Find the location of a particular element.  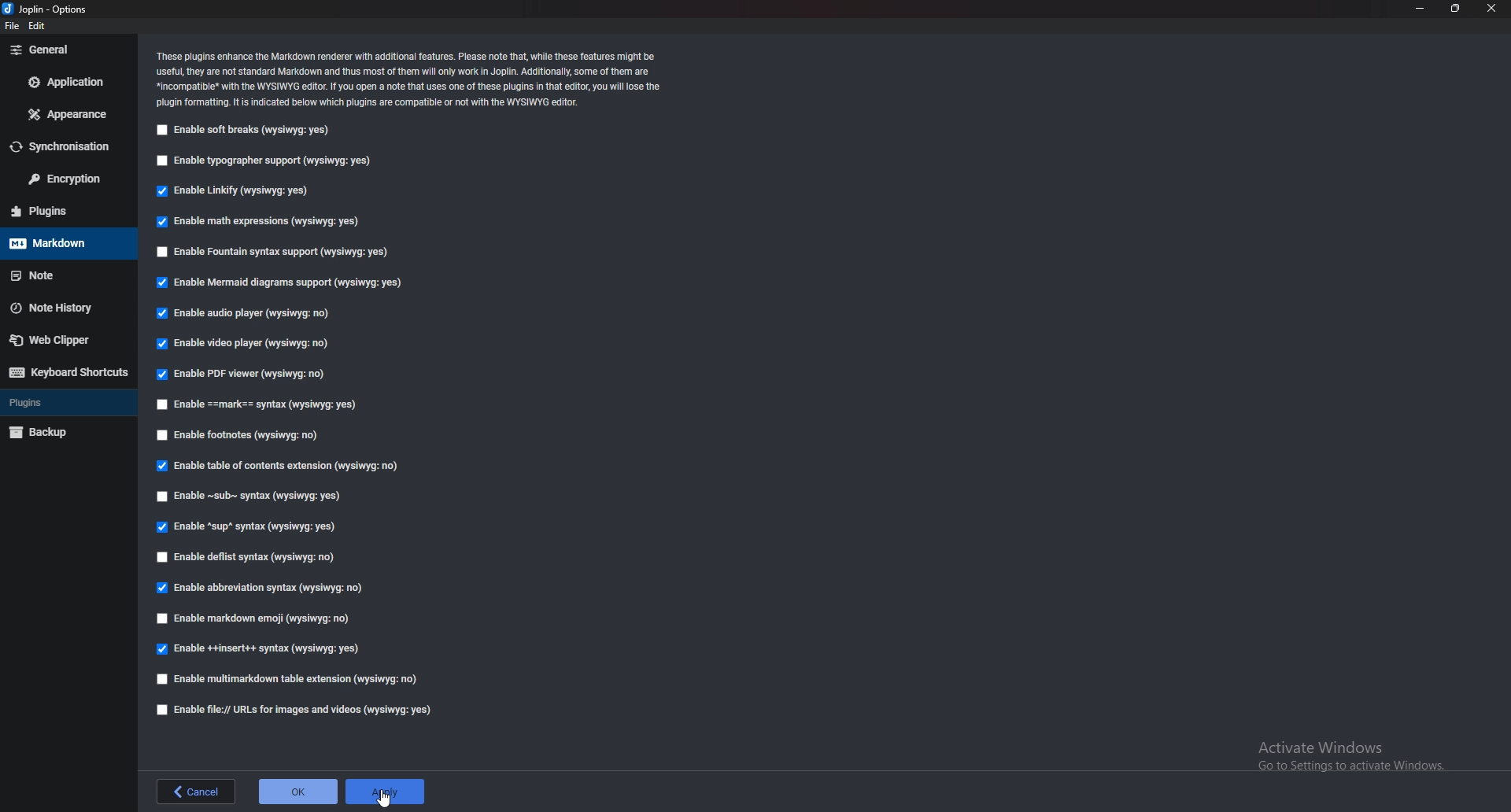

Enable math expressions is located at coordinates (257, 220).